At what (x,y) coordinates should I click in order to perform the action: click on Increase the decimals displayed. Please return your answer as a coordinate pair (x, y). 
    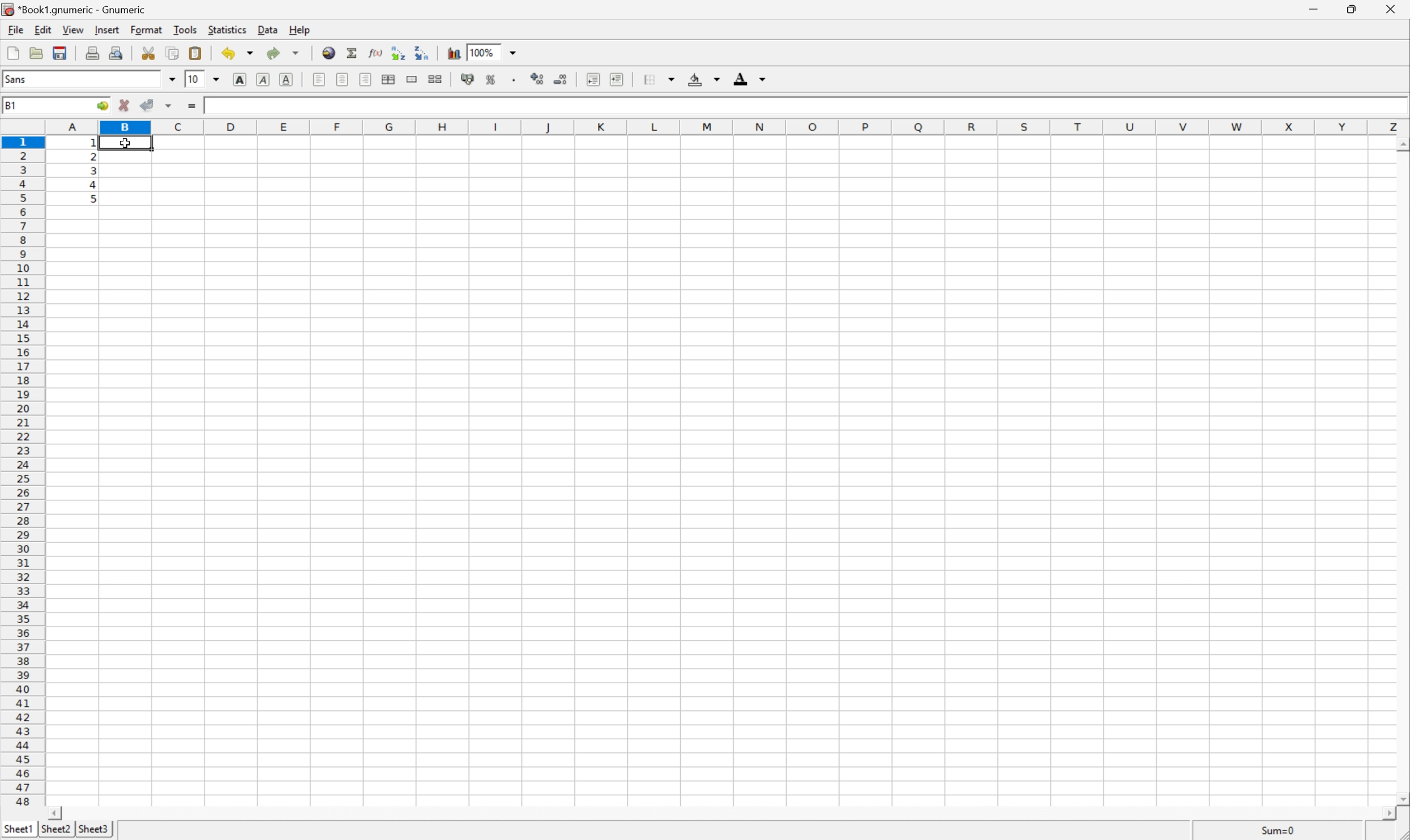
    Looking at the image, I should click on (539, 79).